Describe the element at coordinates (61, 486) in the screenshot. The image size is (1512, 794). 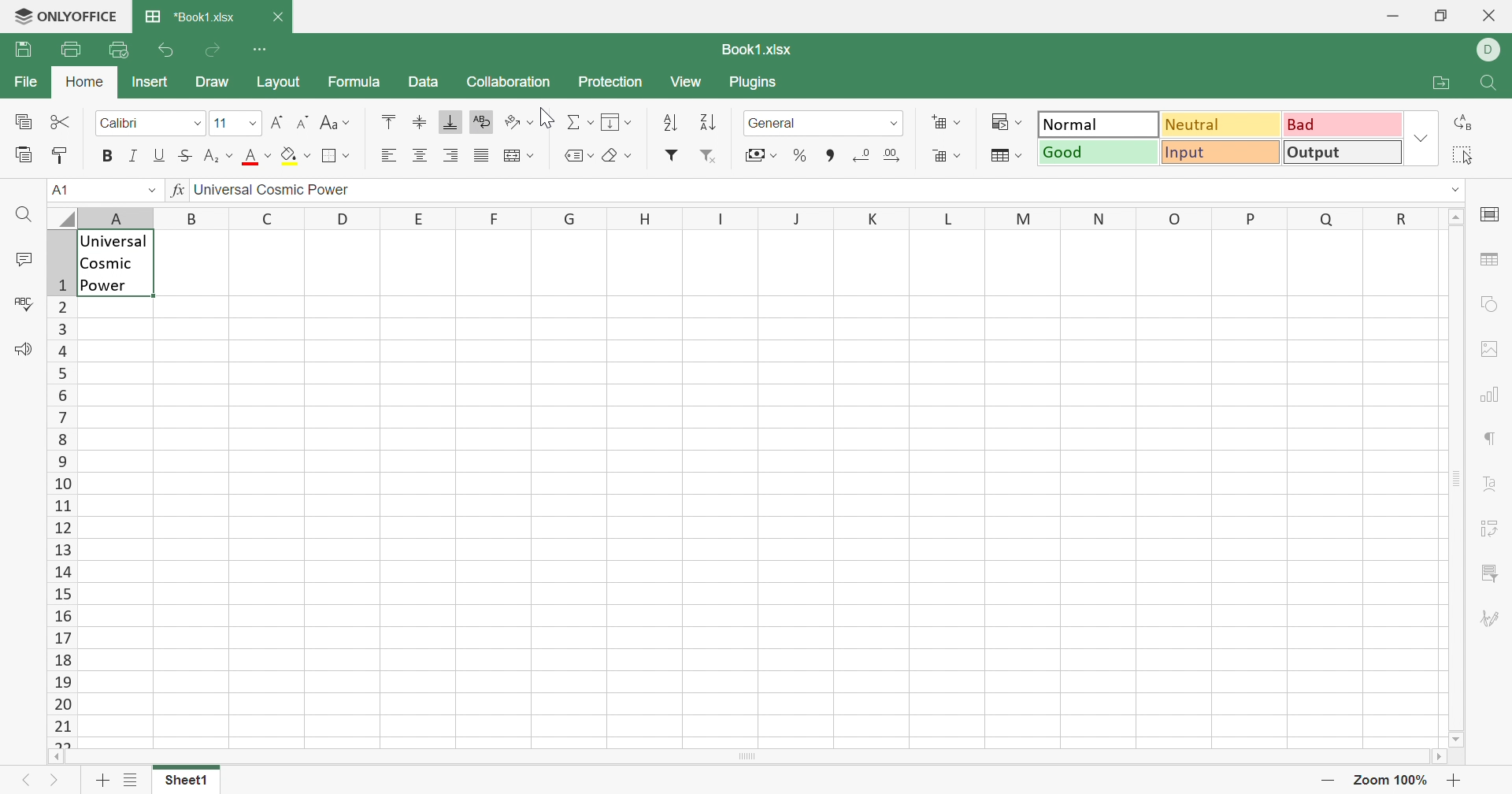
I see `Row Numbers` at that location.